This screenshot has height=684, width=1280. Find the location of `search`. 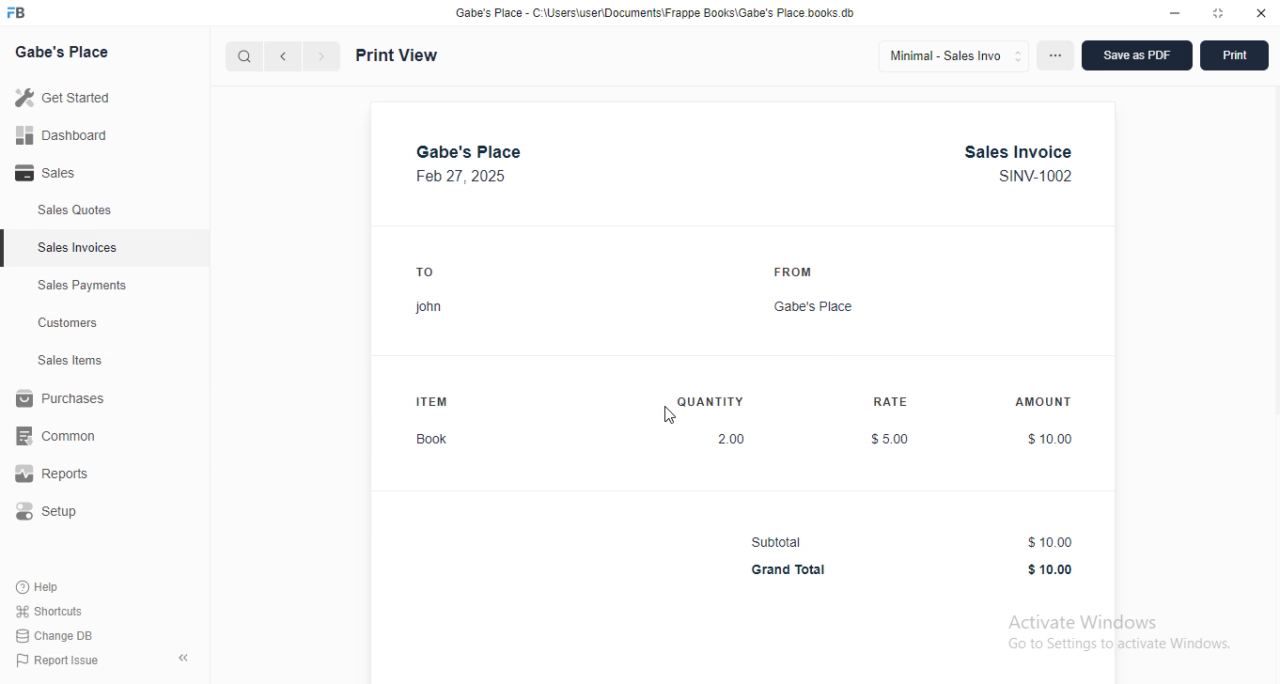

search is located at coordinates (244, 56).